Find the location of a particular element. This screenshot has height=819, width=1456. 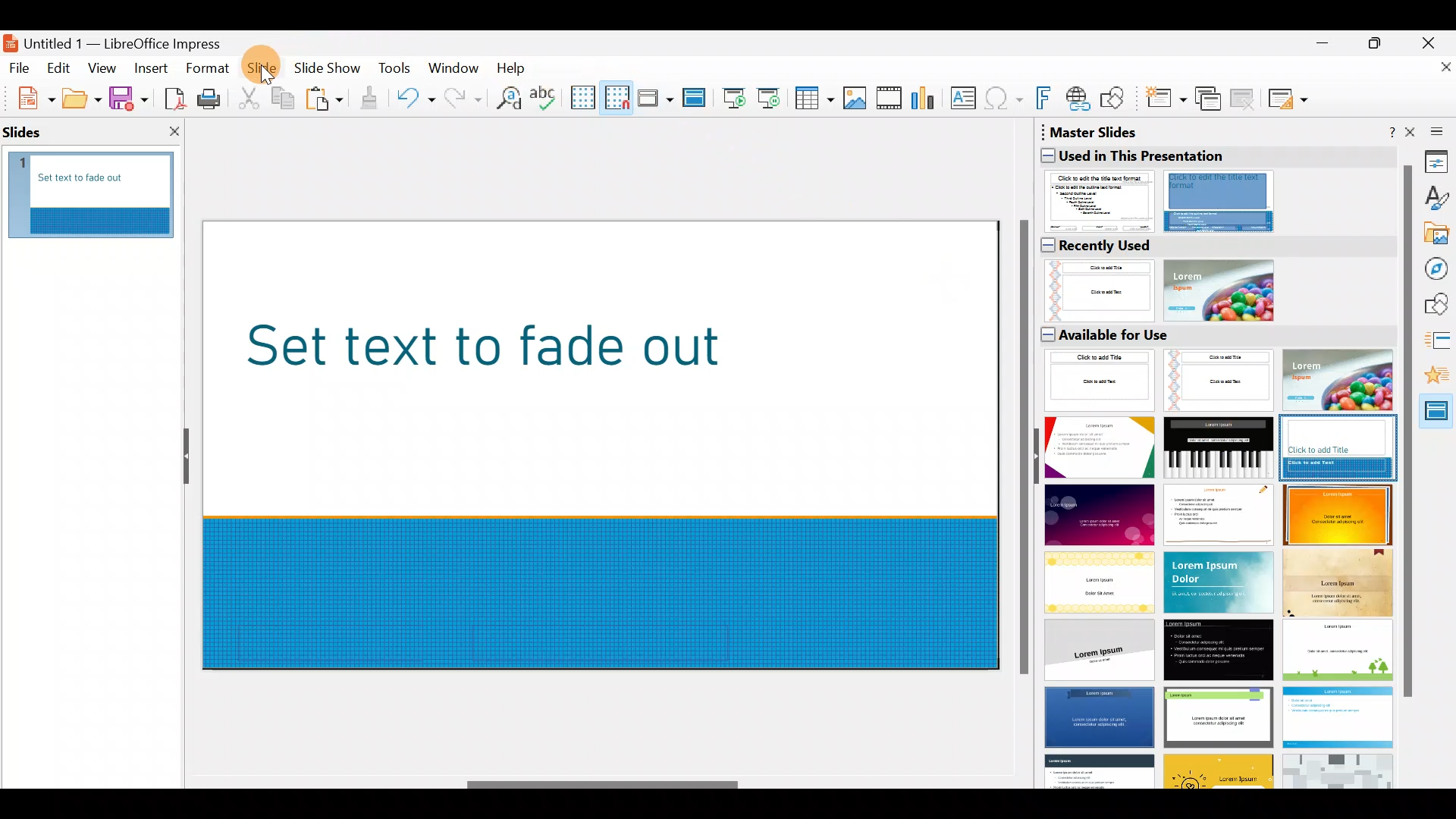

Snap to grid is located at coordinates (614, 97).